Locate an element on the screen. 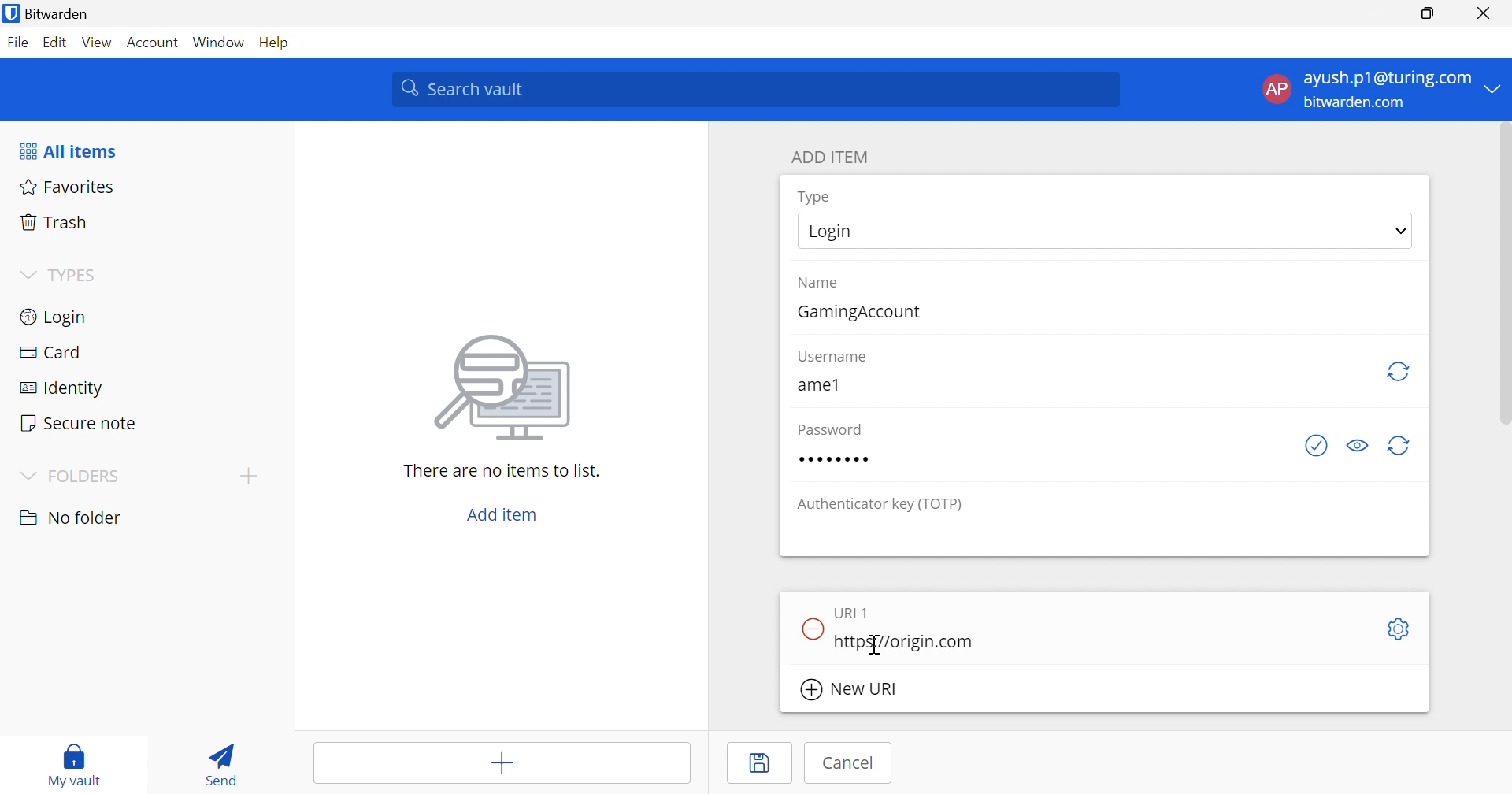 The width and height of the screenshot is (1512, 794). Generate password is located at coordinates (1319, 447).